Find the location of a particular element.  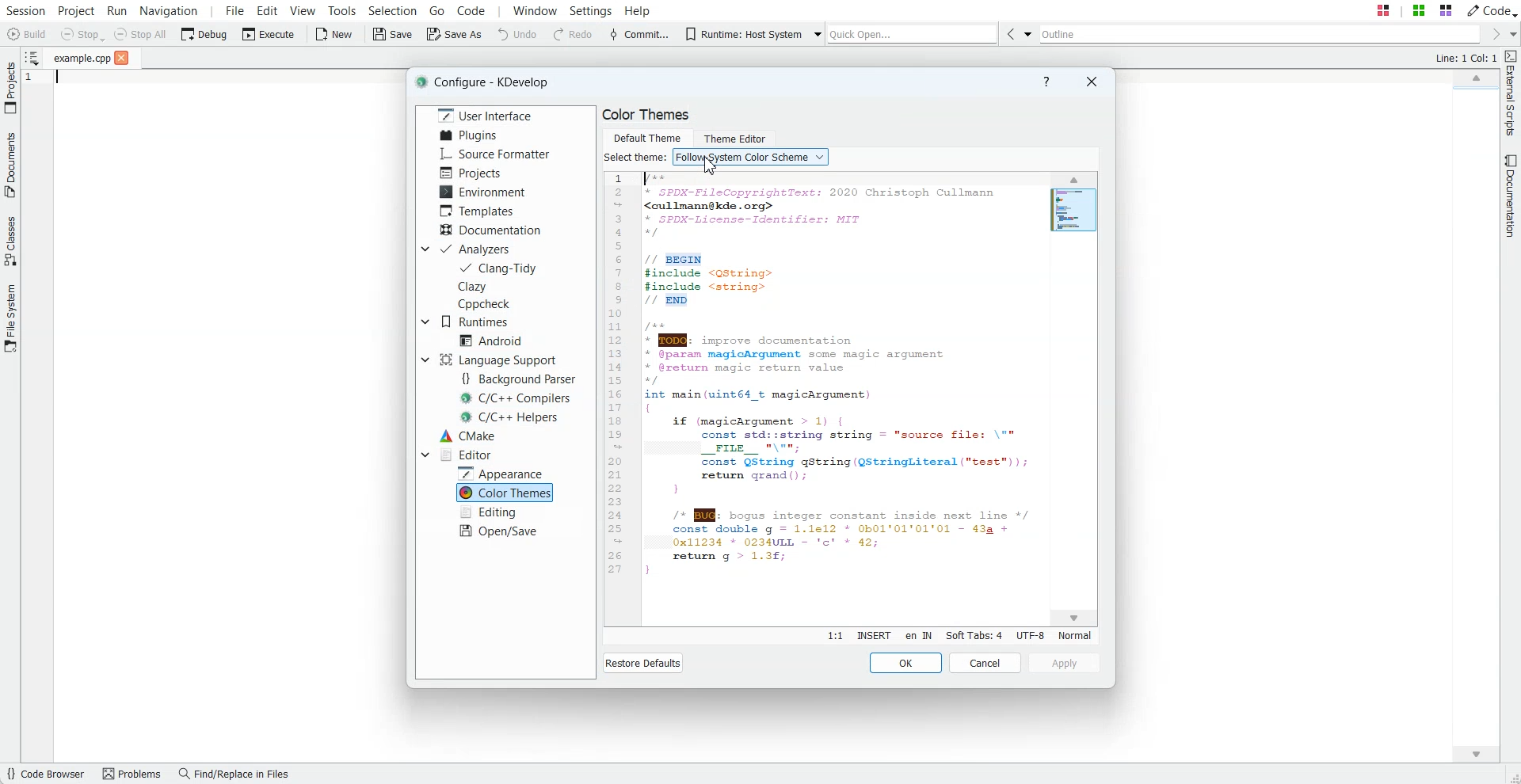

Drop down box is located at coordinates (424, 249).